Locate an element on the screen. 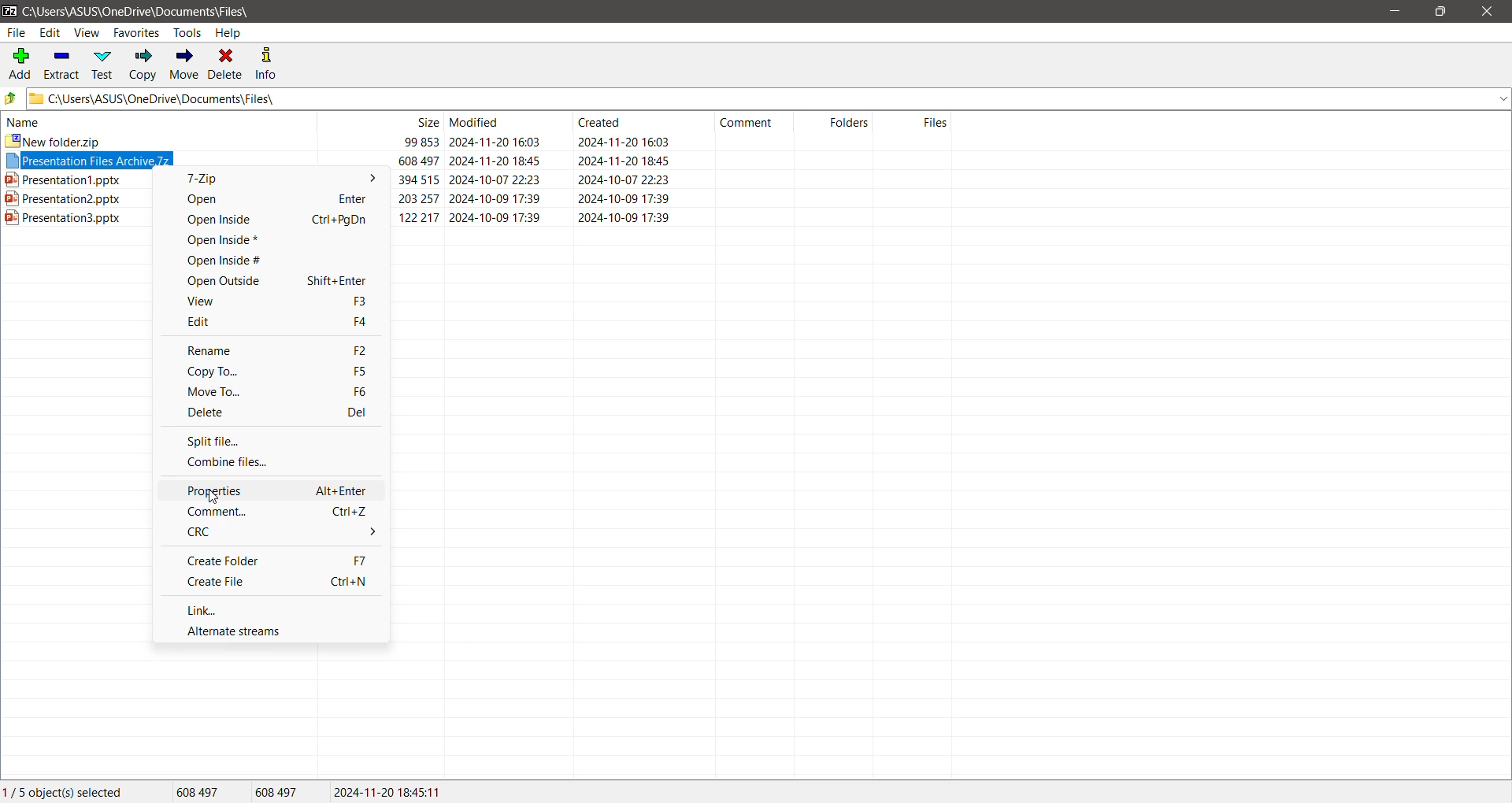  Del is located at coordinates (356, 413).